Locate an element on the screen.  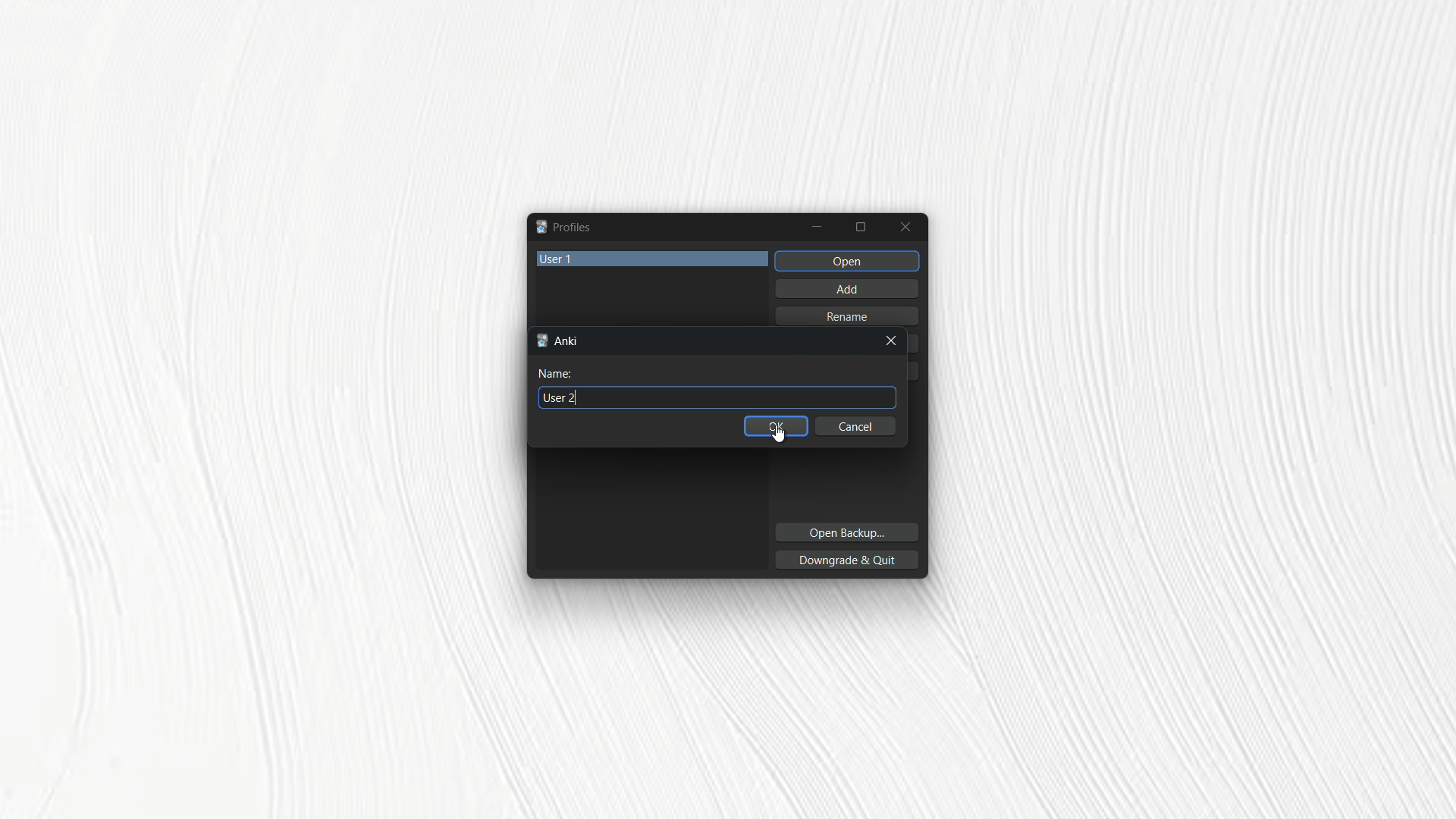
open is located at coordinates (847, 260).